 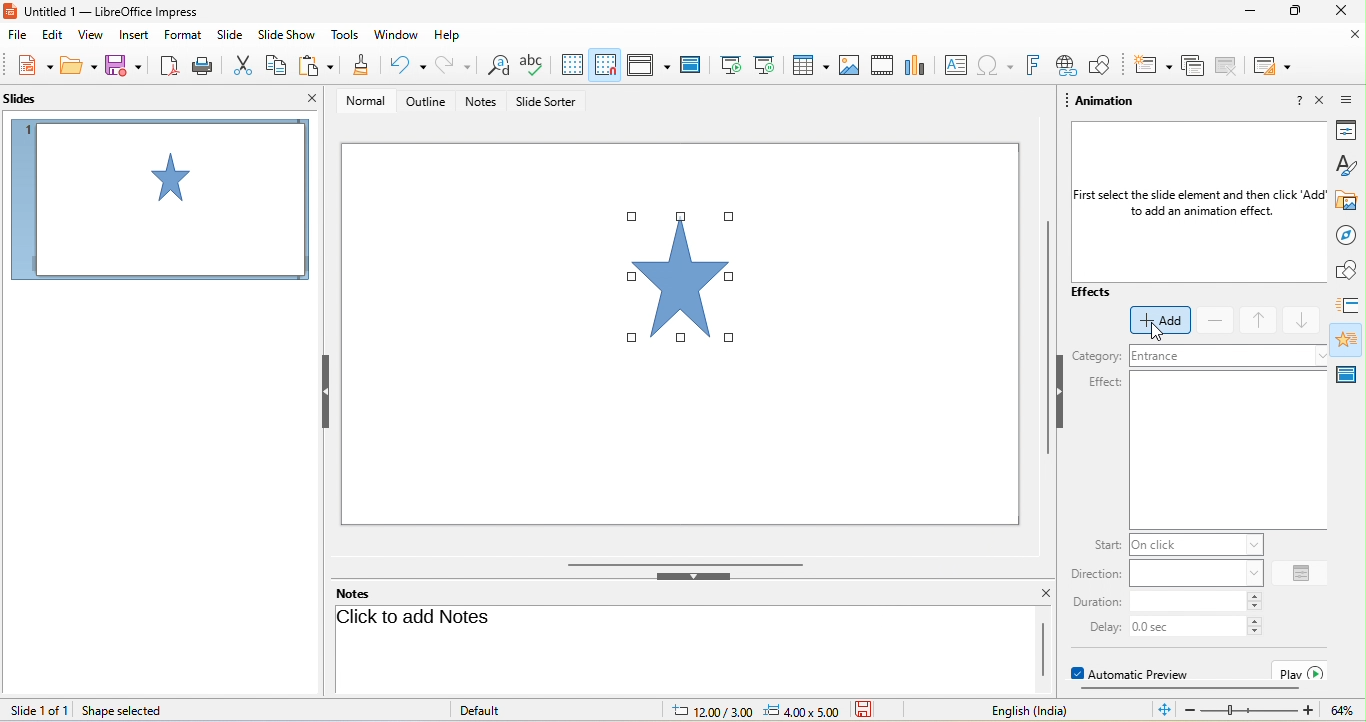 What do you see at coordinates (575, 63) in the screenshot?
I see `display to grid` at bounding box center [575, 63].